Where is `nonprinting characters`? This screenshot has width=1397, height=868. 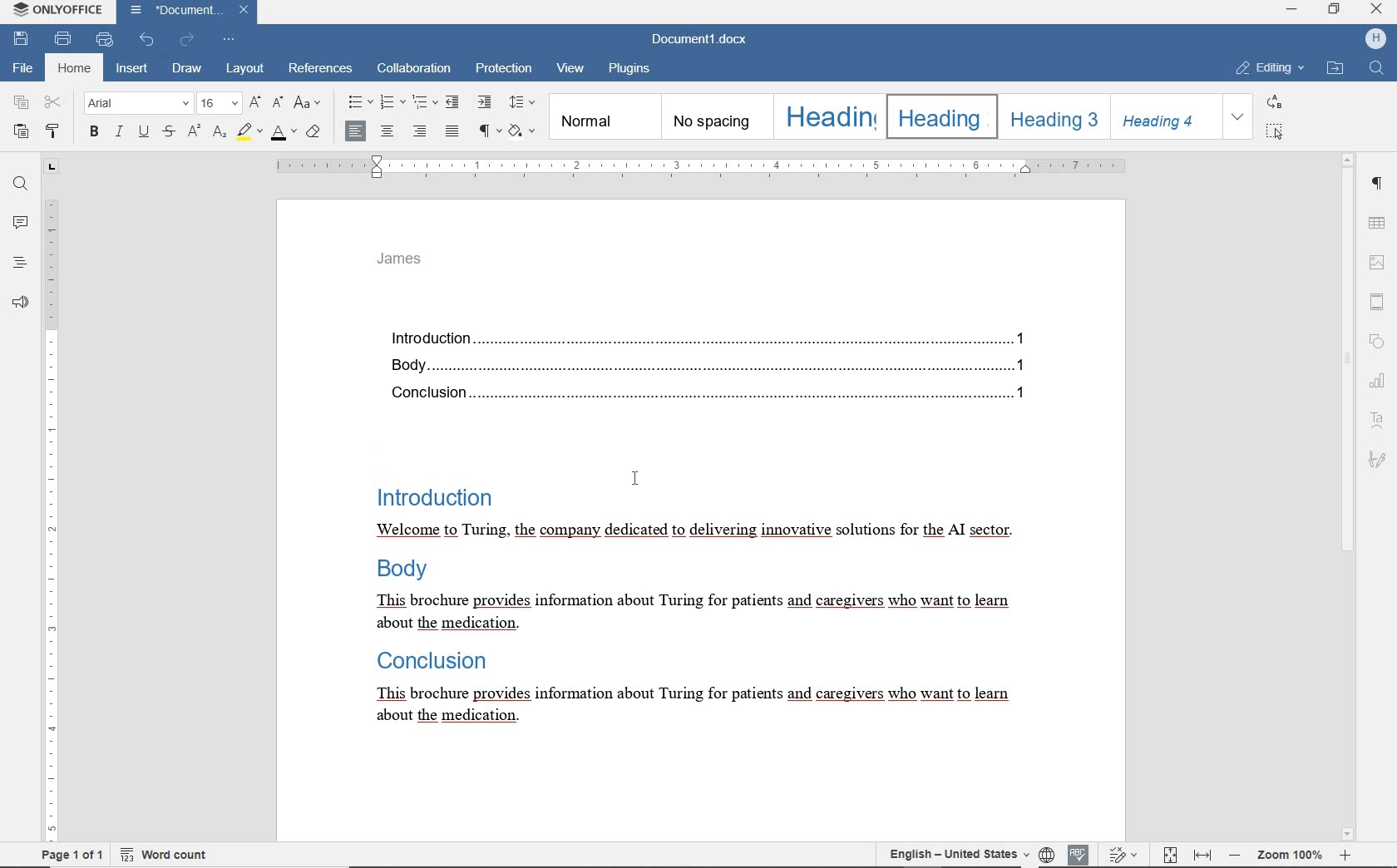
nonprinting characters is located at coordinates (488, 130).